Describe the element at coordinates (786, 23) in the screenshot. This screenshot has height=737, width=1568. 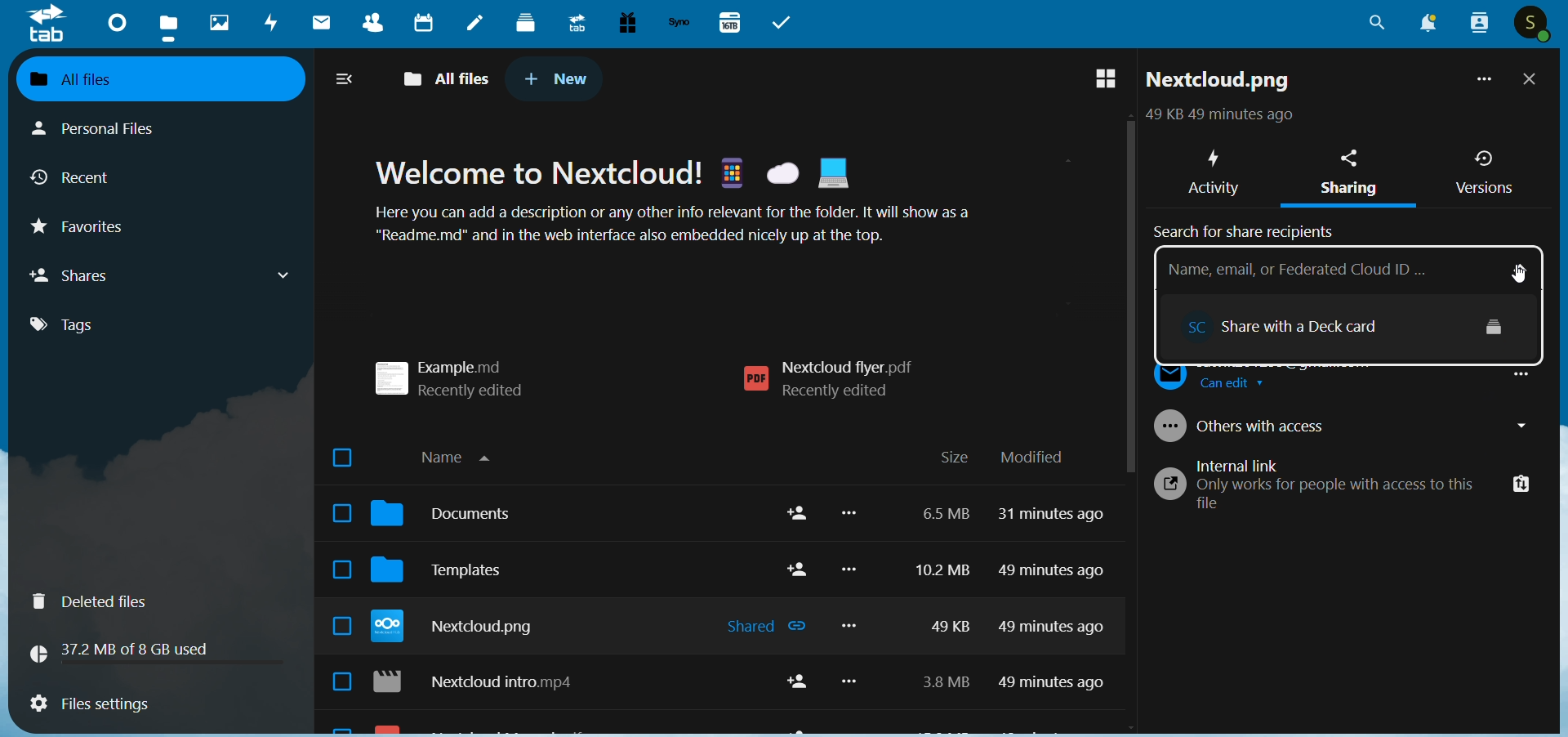
I see `task` at that location.